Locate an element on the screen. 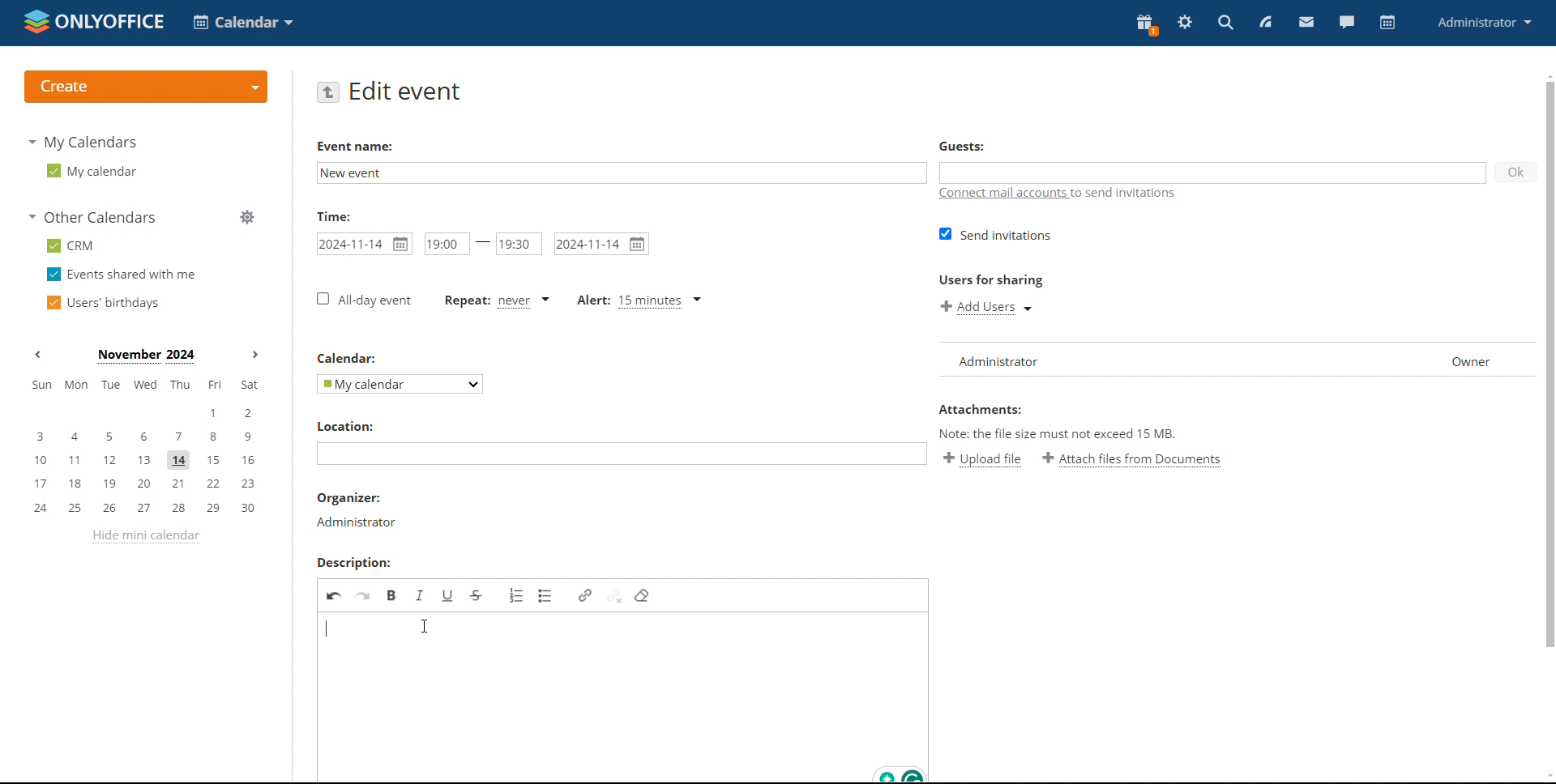  my calendar is located at coordinates (92, 170).